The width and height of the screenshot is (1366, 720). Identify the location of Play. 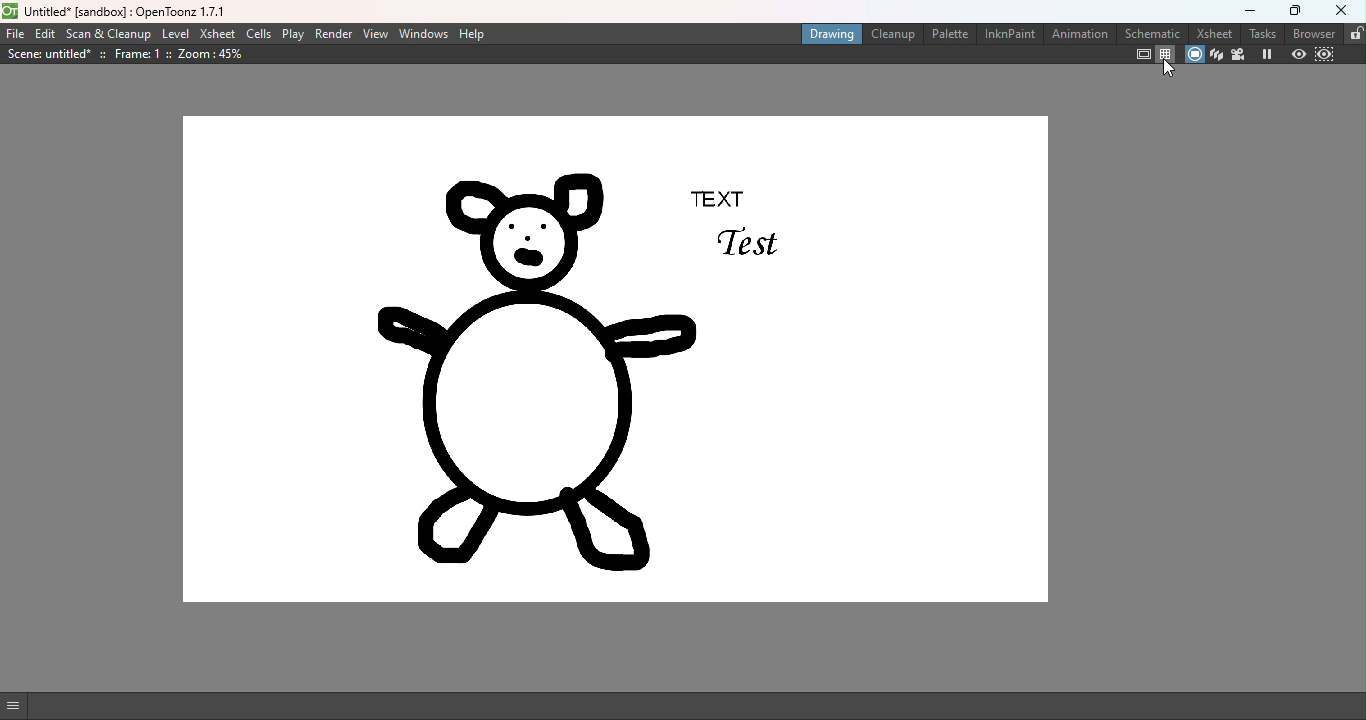
(292, 34).